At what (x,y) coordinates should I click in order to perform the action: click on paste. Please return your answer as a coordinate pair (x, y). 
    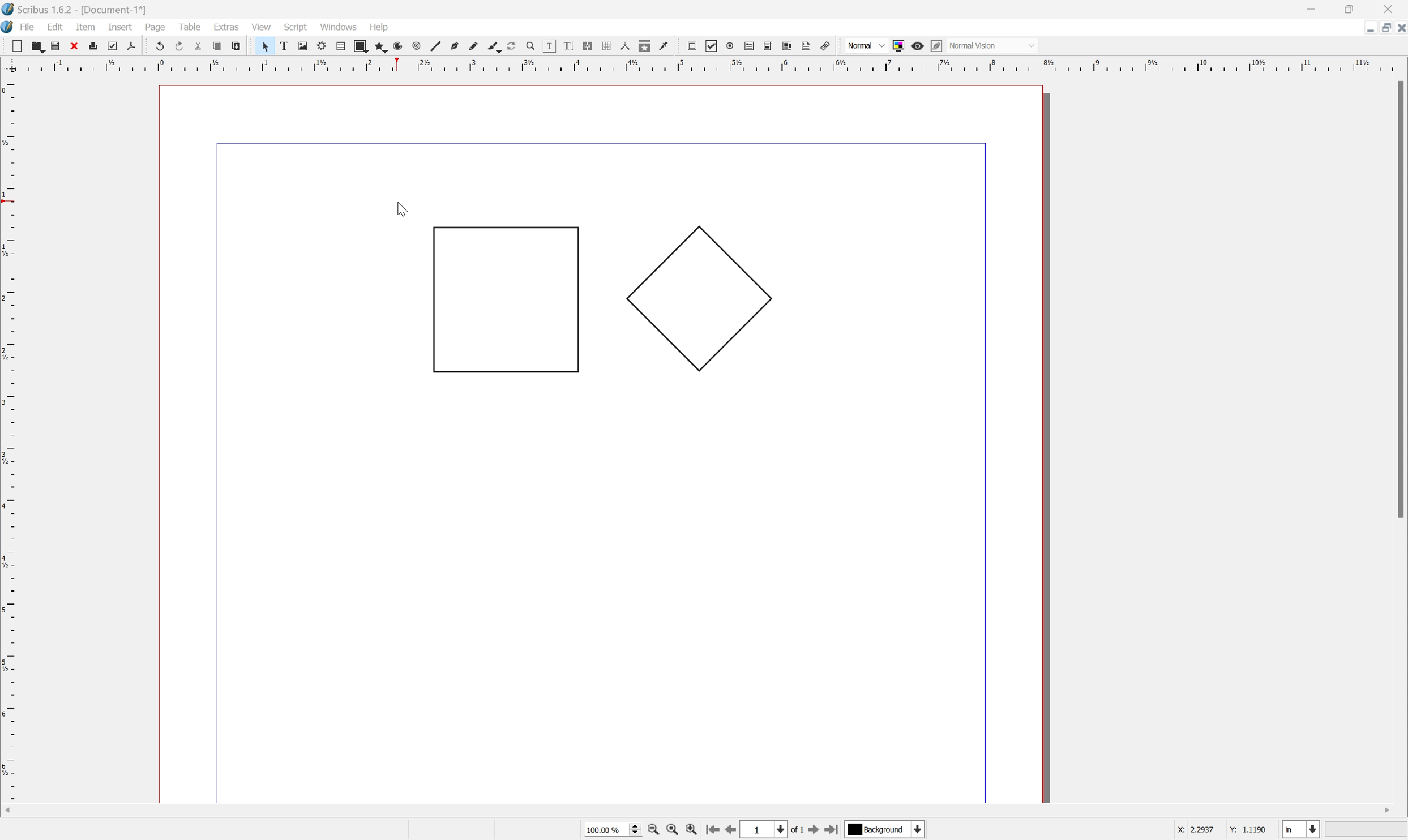
    Looking at the image, I should click on (235, 46).